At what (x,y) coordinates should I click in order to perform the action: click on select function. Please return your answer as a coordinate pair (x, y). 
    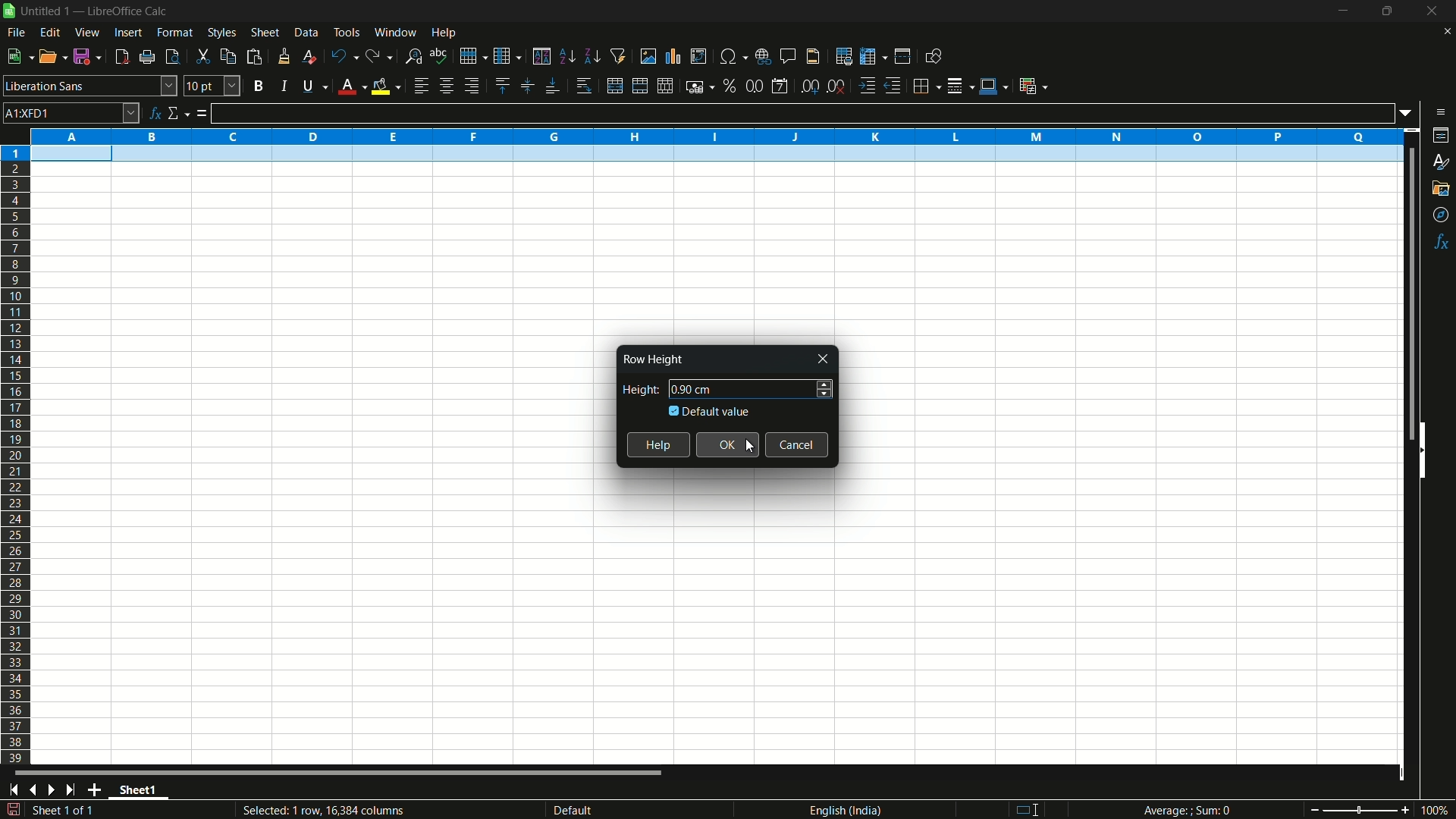
    Looking at the image, I should click on (178, 114).